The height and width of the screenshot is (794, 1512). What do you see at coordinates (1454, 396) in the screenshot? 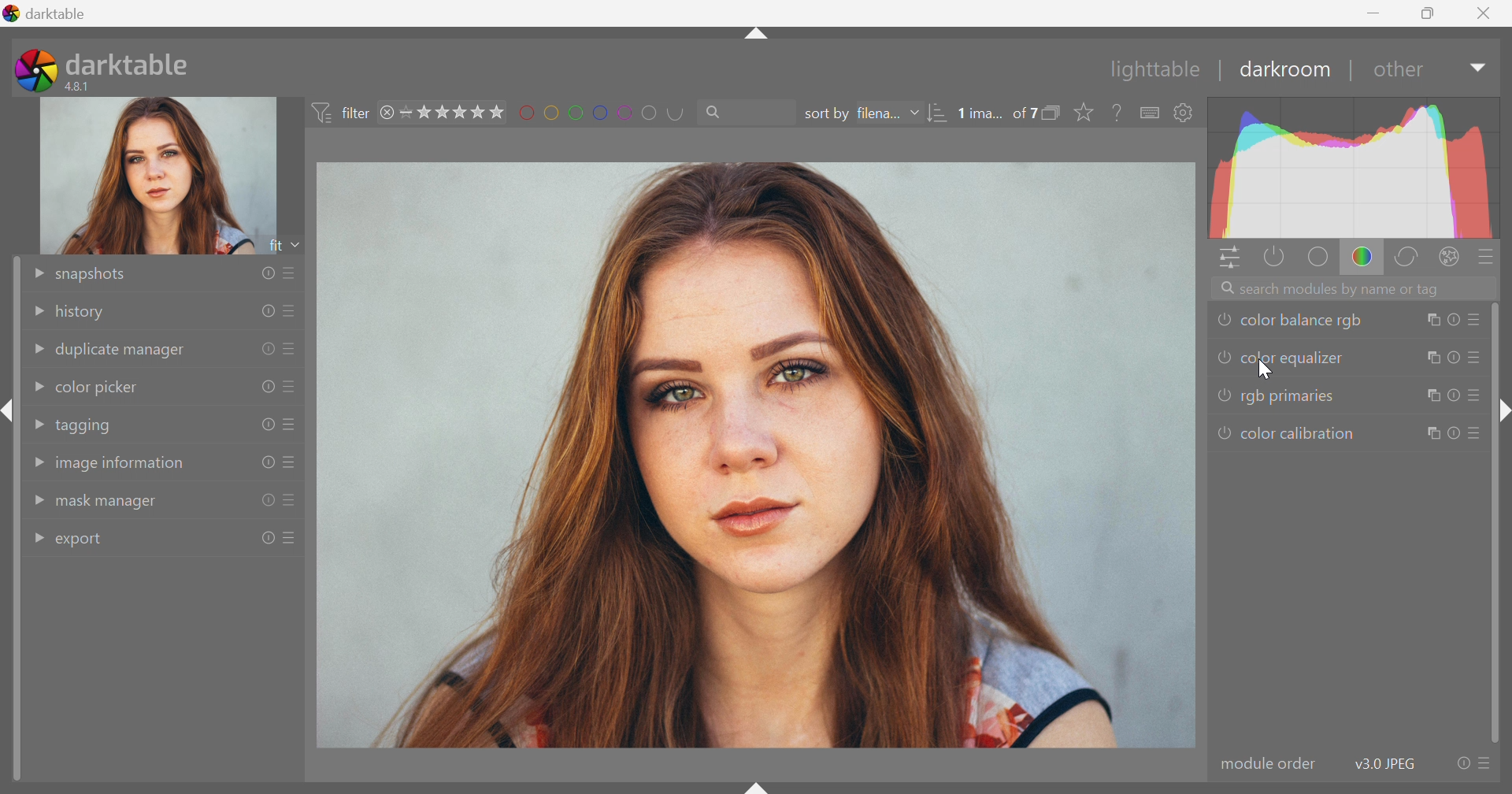
I see `reset` at bounding box center [1454, 396].